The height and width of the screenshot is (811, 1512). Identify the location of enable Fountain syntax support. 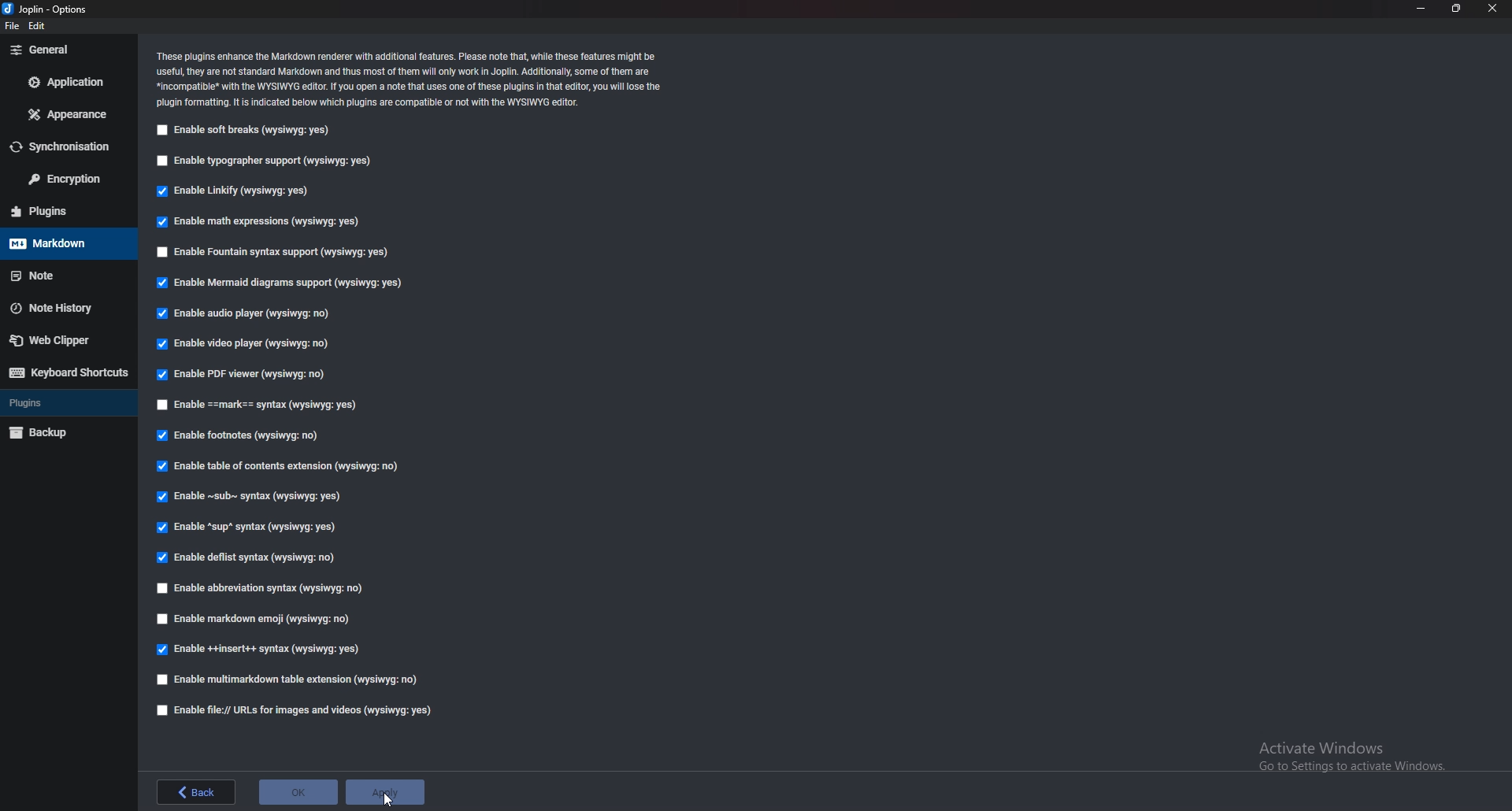
(276, 253).